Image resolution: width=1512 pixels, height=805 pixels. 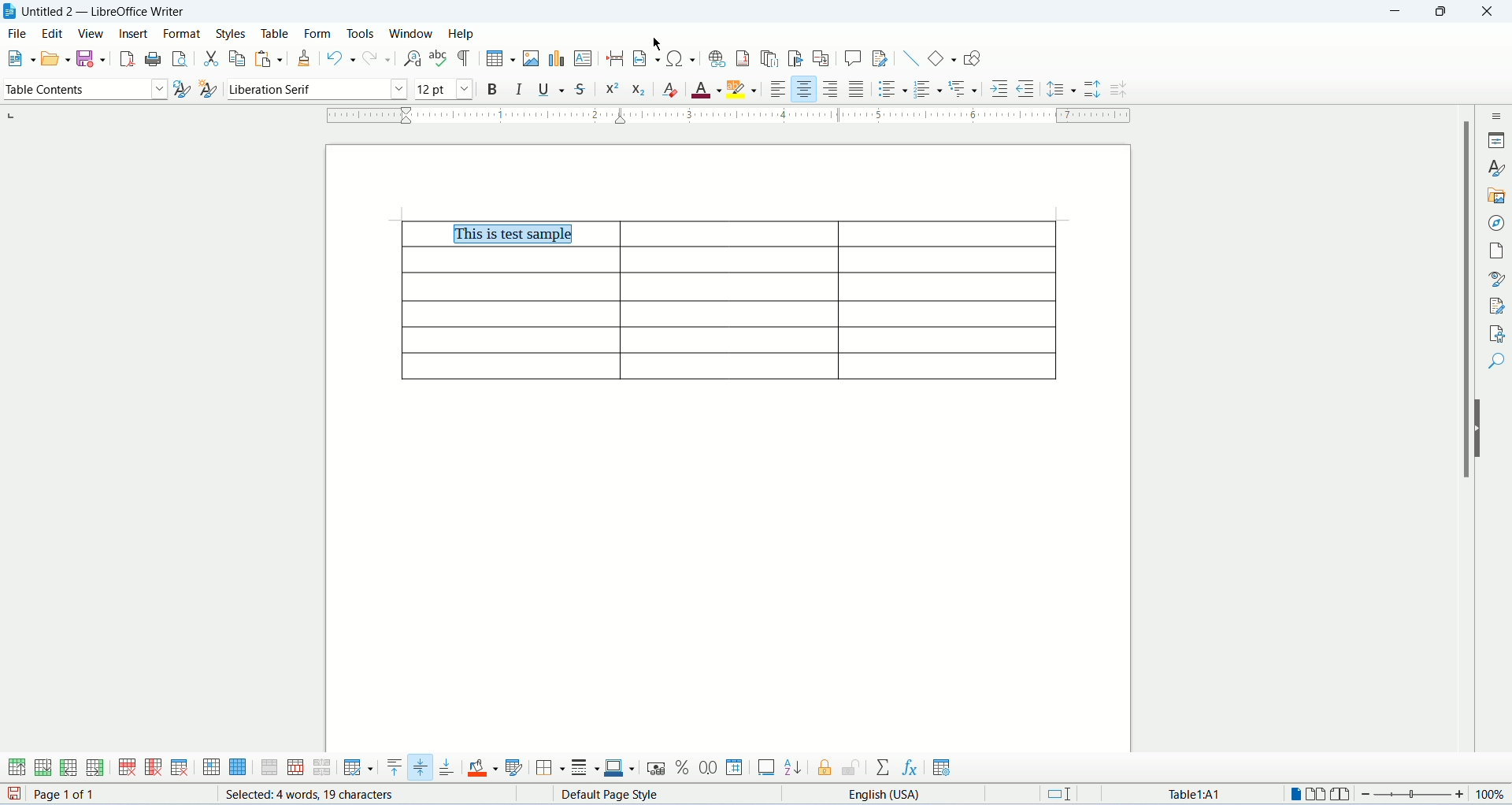 I want to click on two page view, so click(x=1316, y=795).